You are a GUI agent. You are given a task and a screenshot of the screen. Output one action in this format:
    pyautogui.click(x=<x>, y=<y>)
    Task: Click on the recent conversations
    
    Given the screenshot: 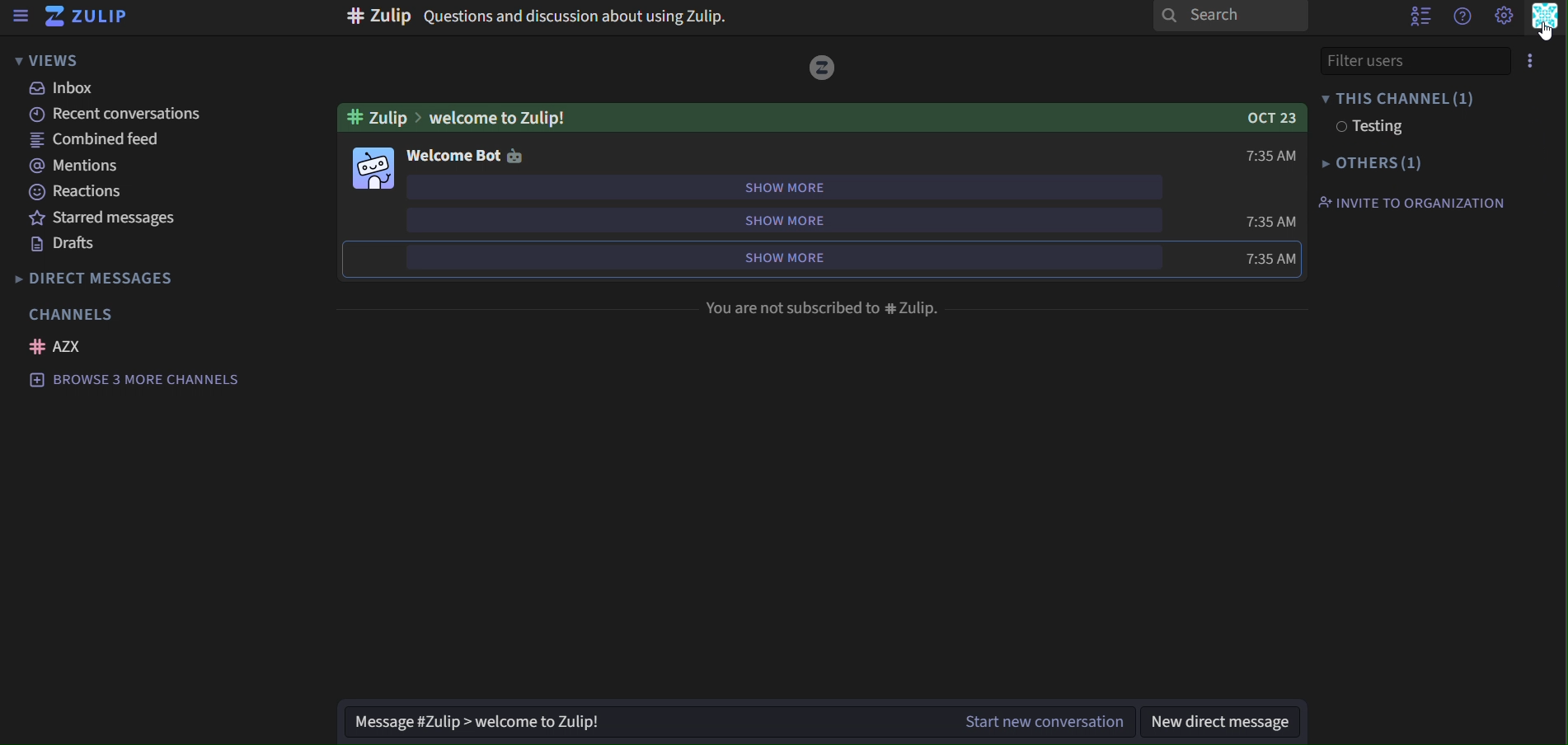 What is the action you would take?
    pyautogui.click(x=120, y=116)
    